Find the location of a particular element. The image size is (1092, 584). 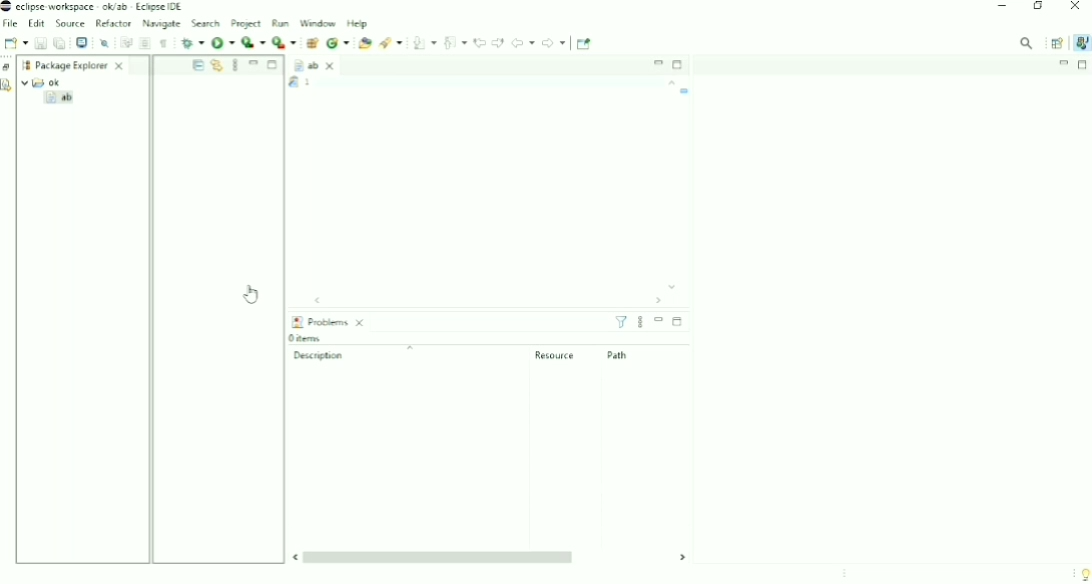

Minimize is located at coordinates (1002, 6).